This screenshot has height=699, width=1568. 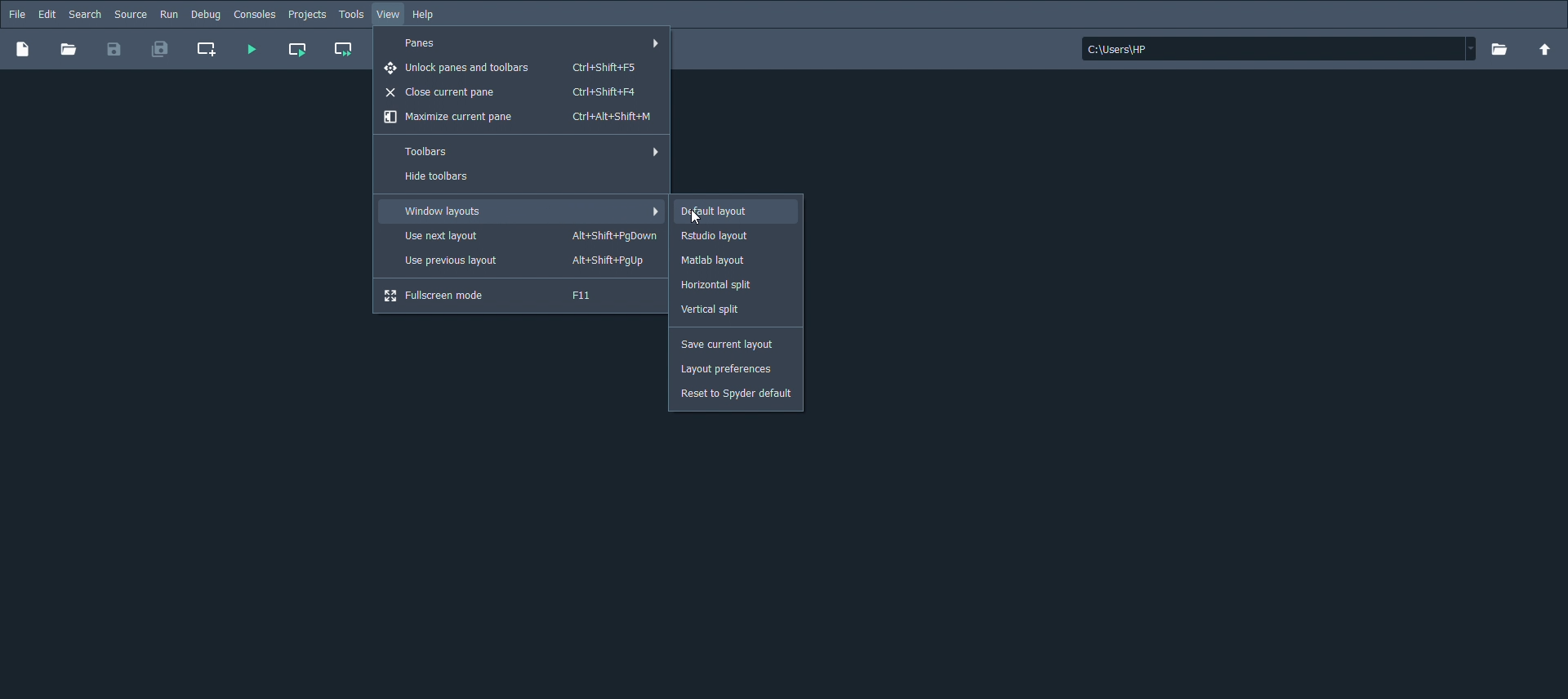 I want to click on Run current cell, so click(x=298, y=48).